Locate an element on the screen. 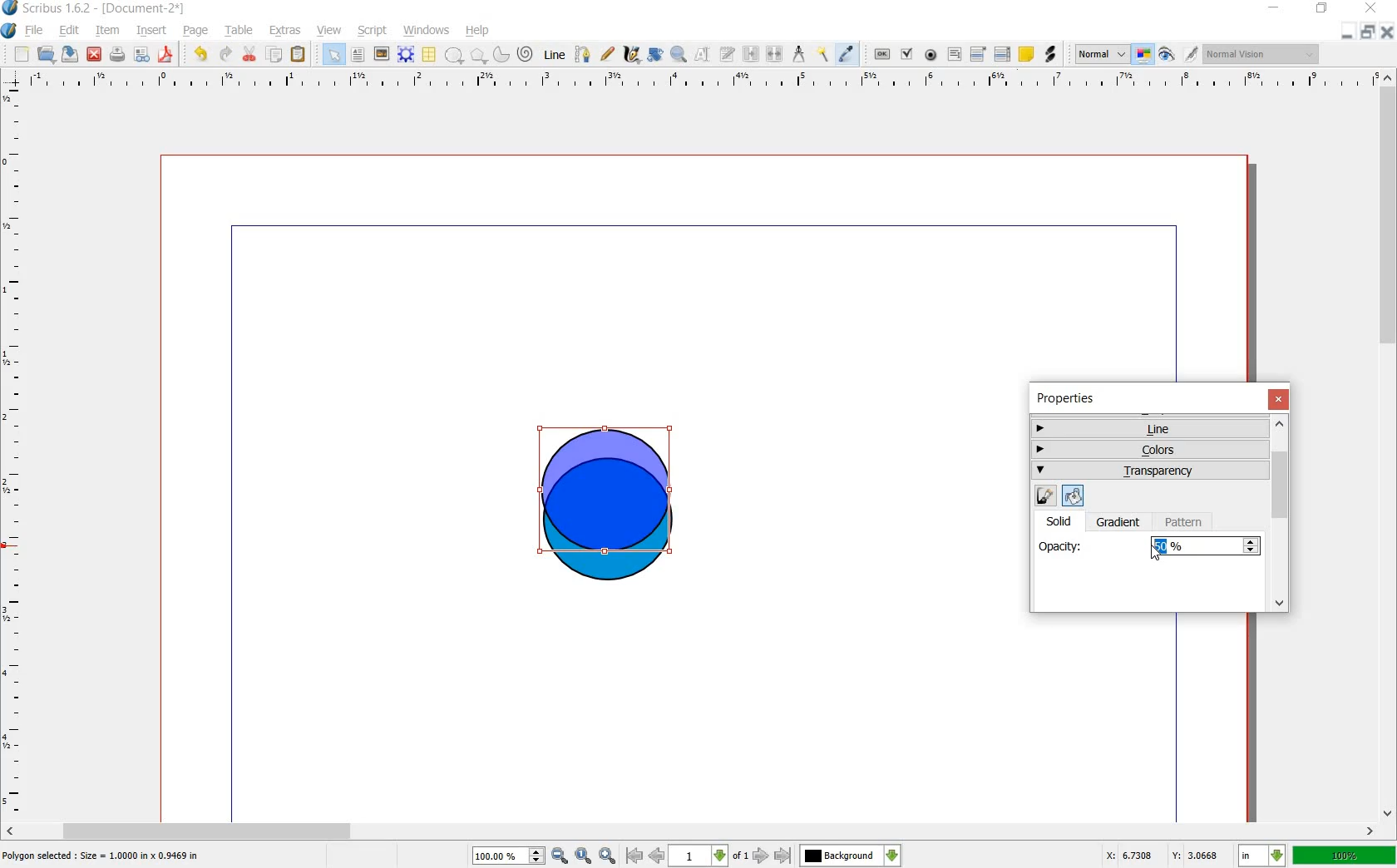  pattern is located at coordinates (1187, 522).